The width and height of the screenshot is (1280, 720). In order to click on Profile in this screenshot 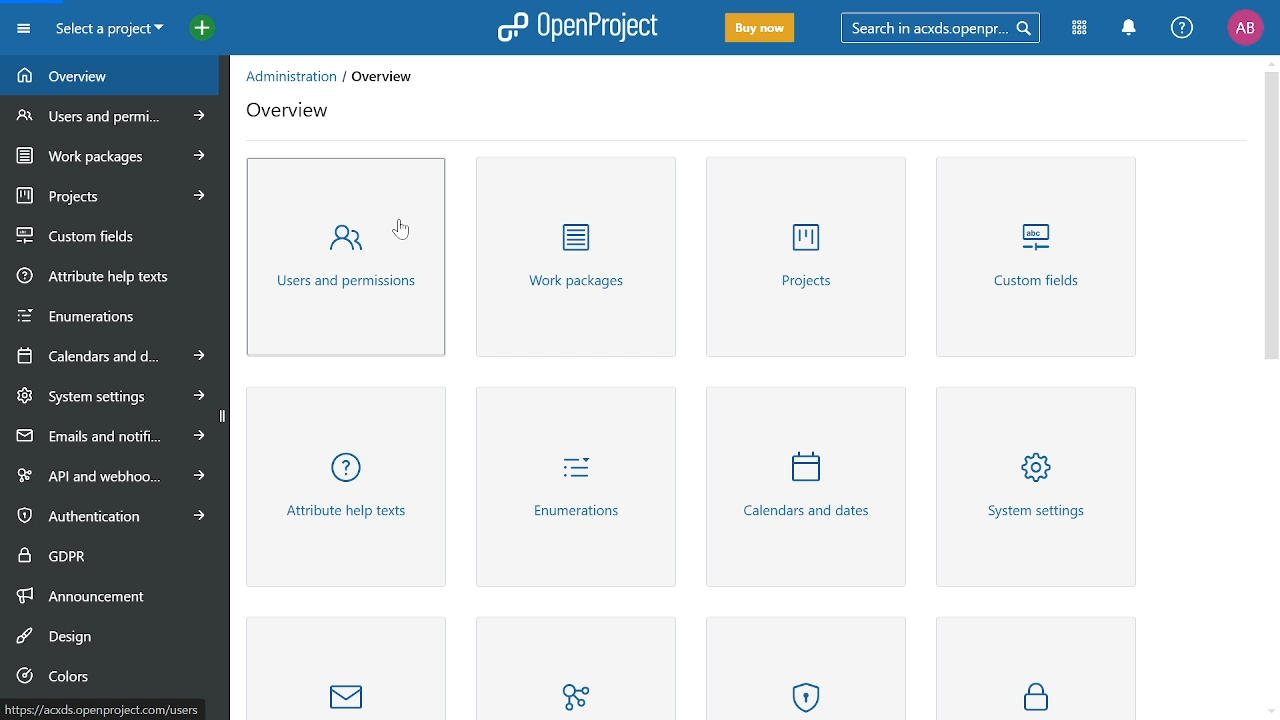, I will do `click(1245, 27)`.